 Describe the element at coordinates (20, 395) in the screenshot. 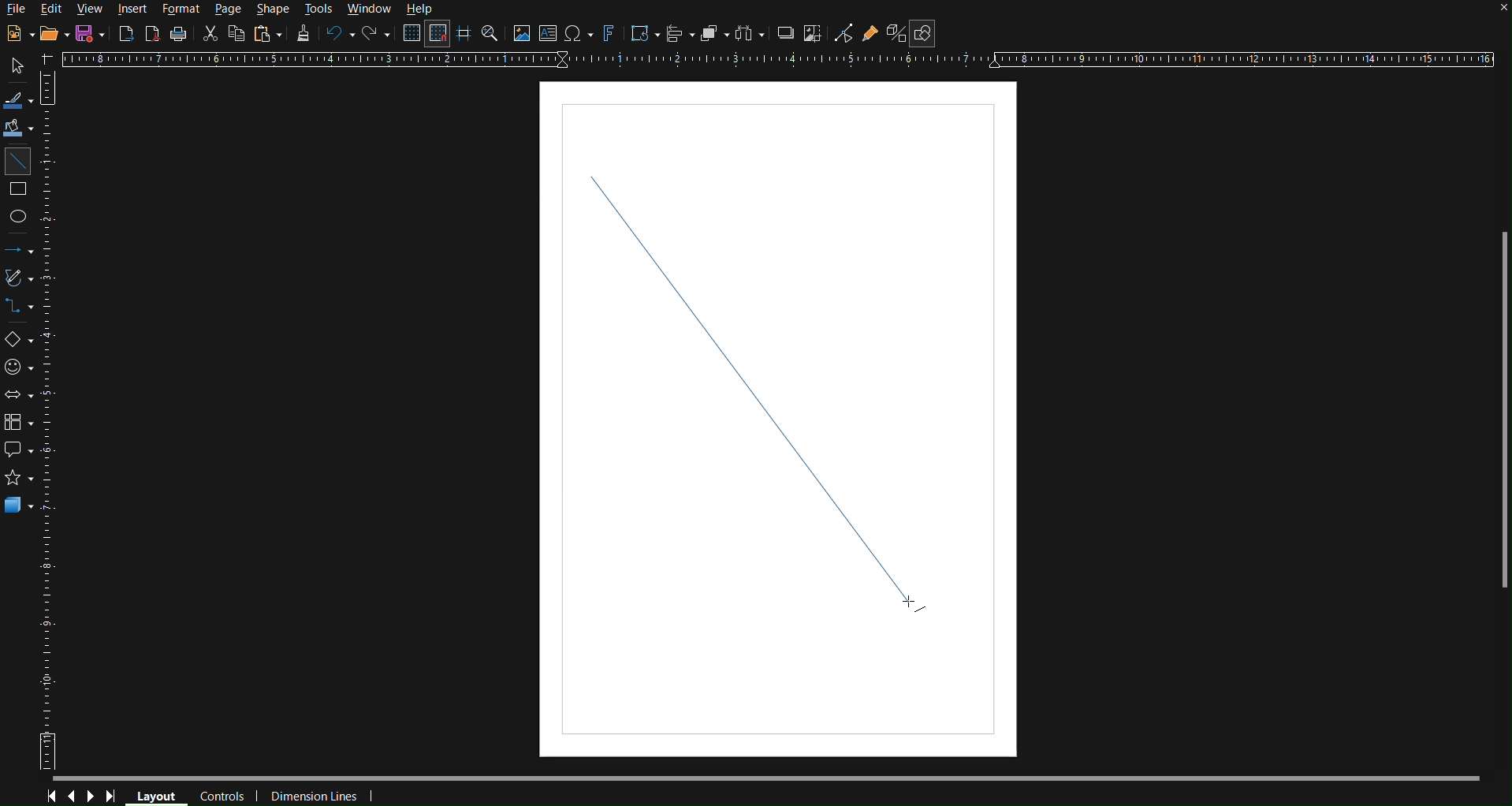

I see `Block Arrows` at that location.